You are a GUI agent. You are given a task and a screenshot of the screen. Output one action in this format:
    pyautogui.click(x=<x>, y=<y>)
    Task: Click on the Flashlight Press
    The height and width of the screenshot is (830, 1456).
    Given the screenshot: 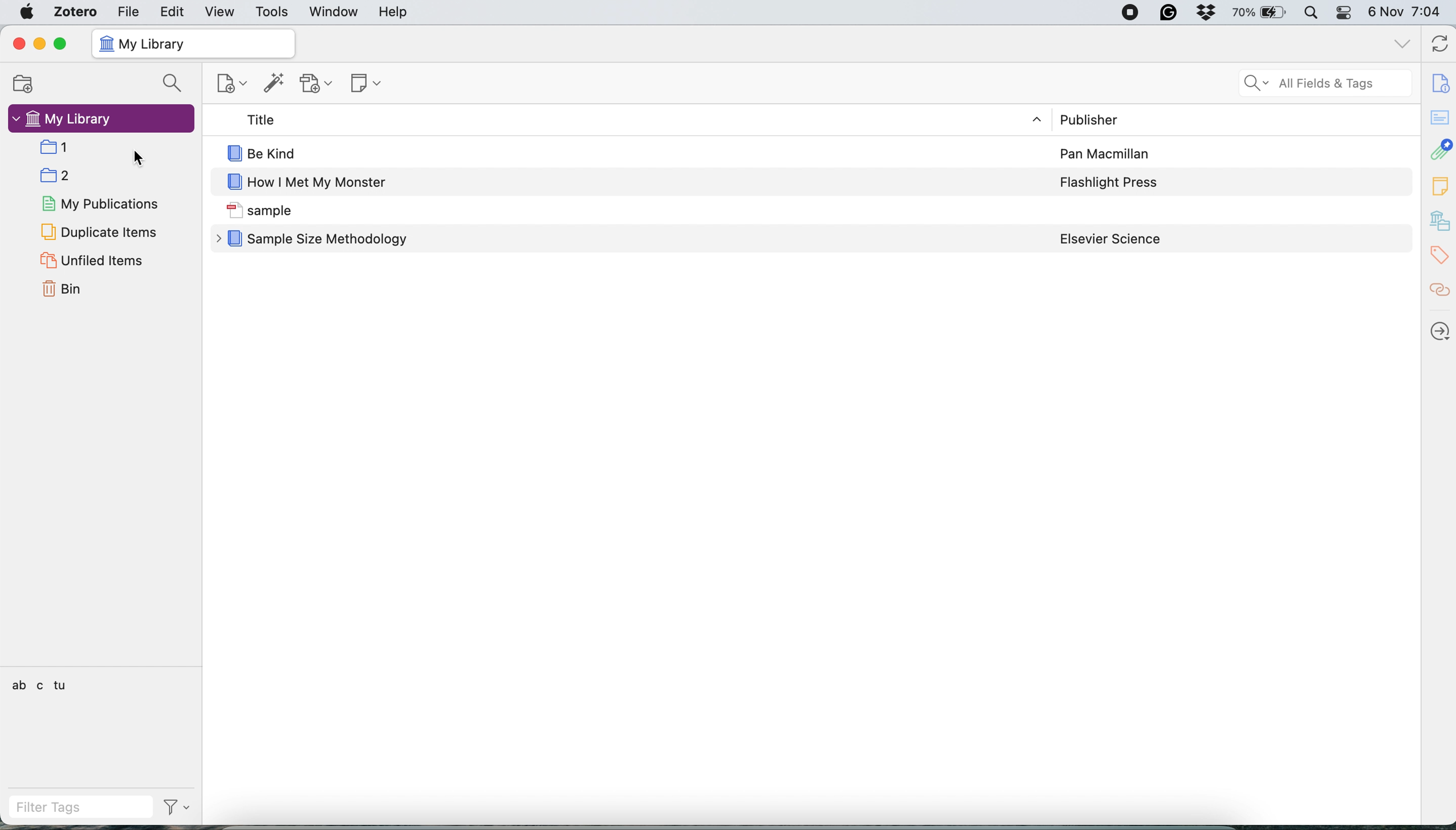 What is the action you would take?
    pyautogui.click(x=1111, y=182)
    